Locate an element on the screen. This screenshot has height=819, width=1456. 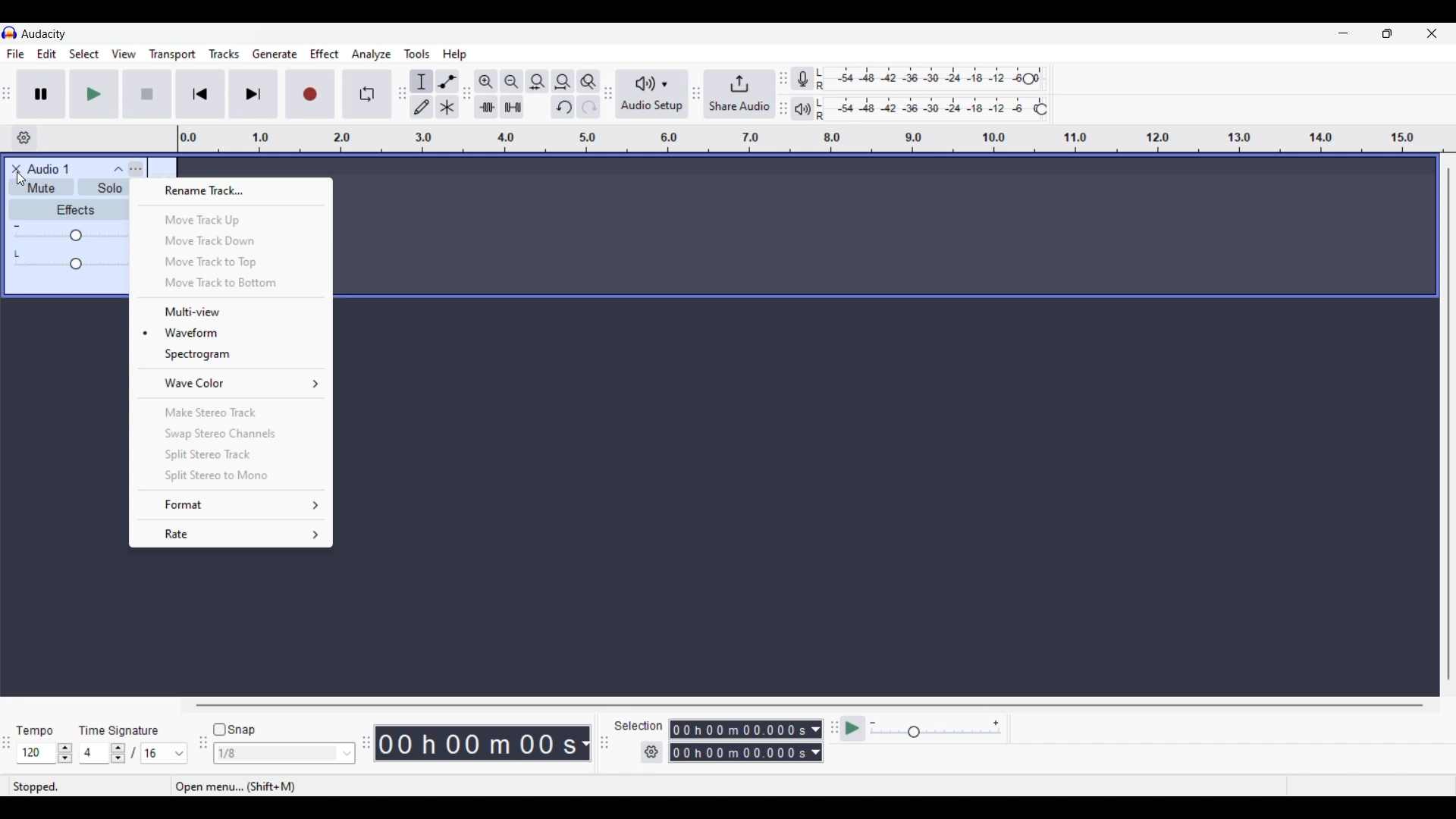
View menu is located at coordinates (124, 54).